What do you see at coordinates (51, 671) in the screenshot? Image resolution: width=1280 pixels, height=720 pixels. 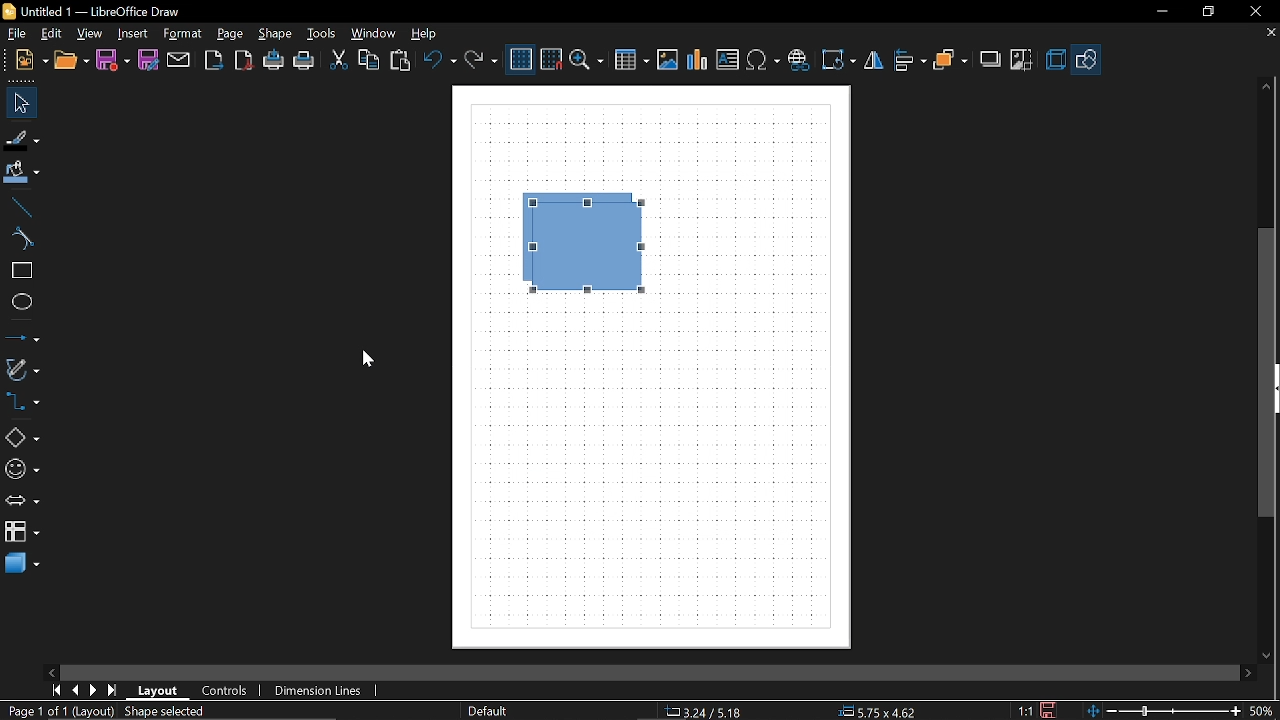 I see `MOve left` at bounding box center [51, 671].